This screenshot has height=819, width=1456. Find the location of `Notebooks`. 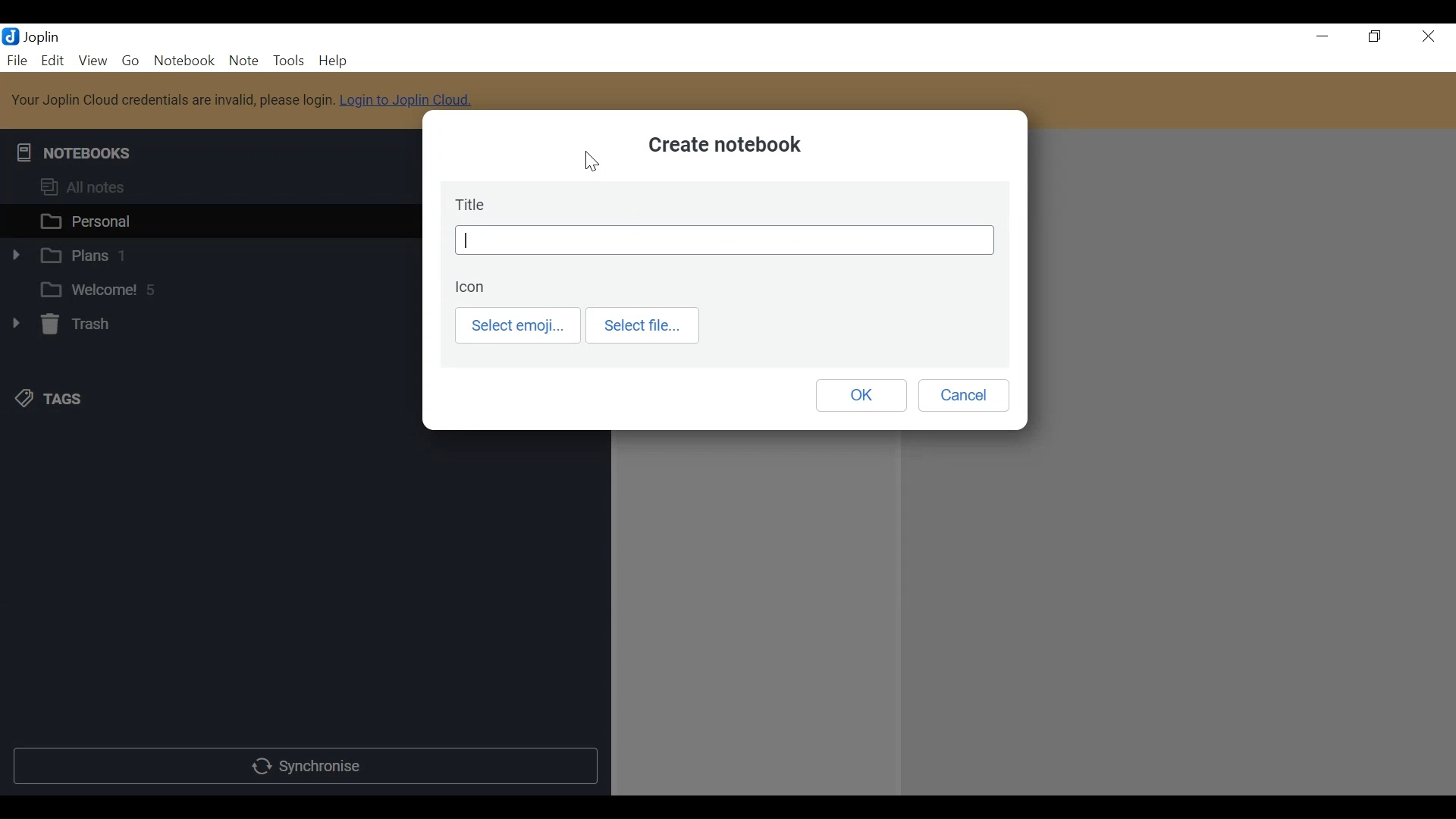

Notebooks is located at coordinates (78, 154).